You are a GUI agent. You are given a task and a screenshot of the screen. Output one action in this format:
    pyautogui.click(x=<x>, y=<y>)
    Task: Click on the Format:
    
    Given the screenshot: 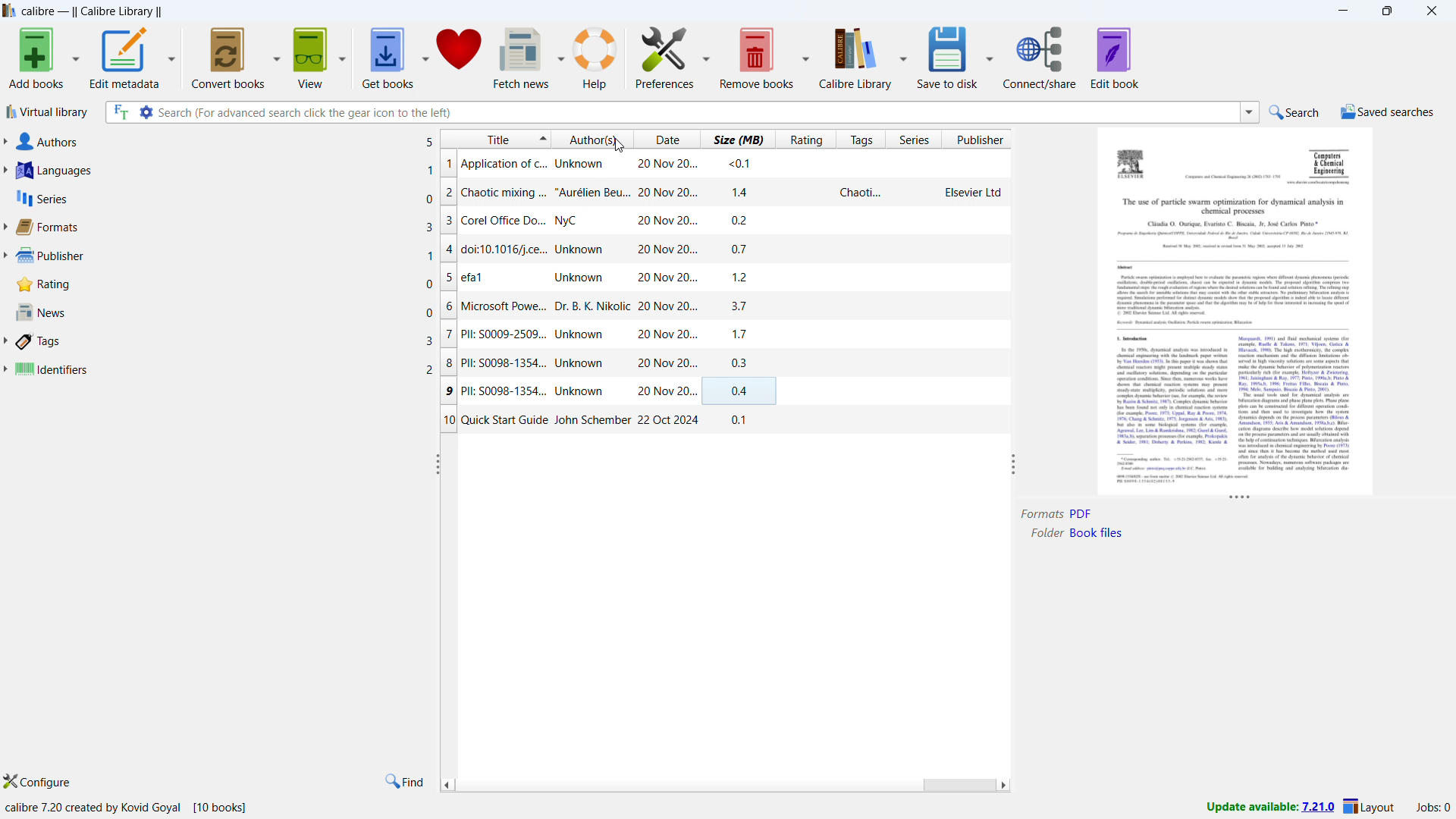 What is the action you would take?
    pyautogui.click(x=1040, y=514)
    